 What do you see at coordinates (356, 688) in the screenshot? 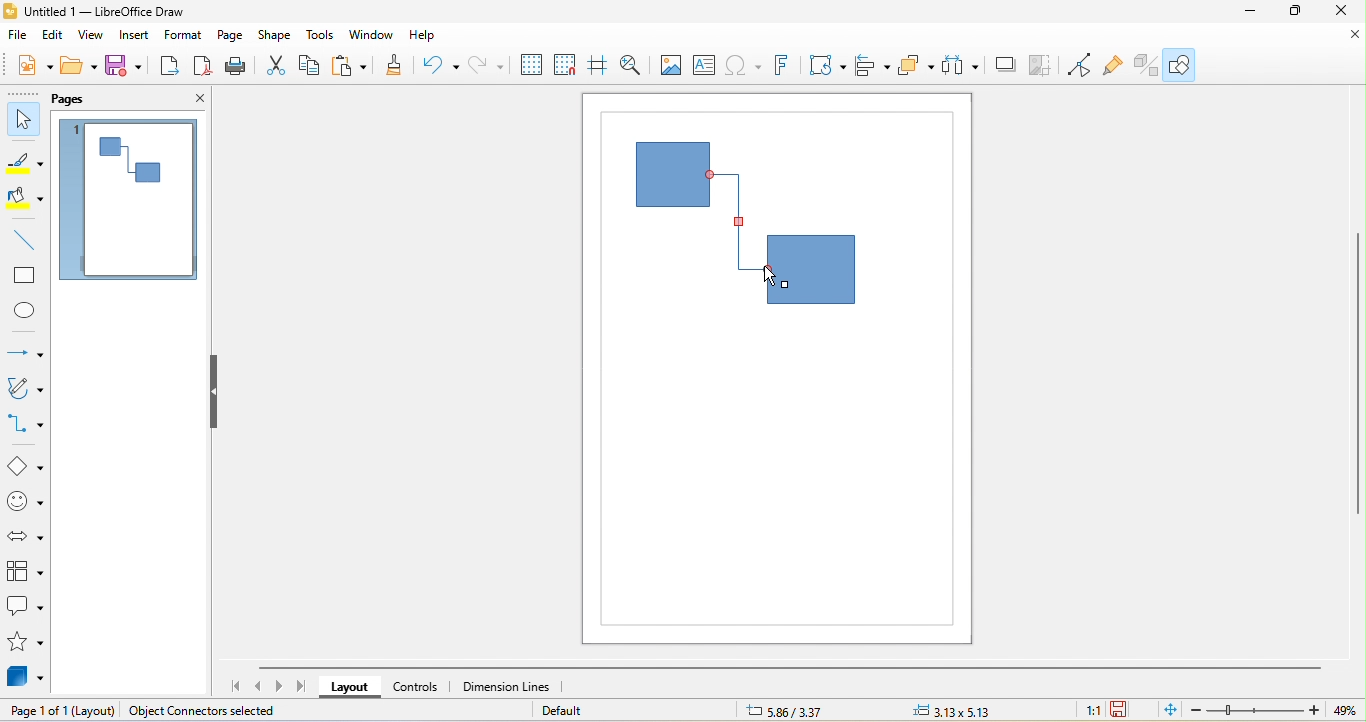
I see `layout` at bounding box center [356, 688].